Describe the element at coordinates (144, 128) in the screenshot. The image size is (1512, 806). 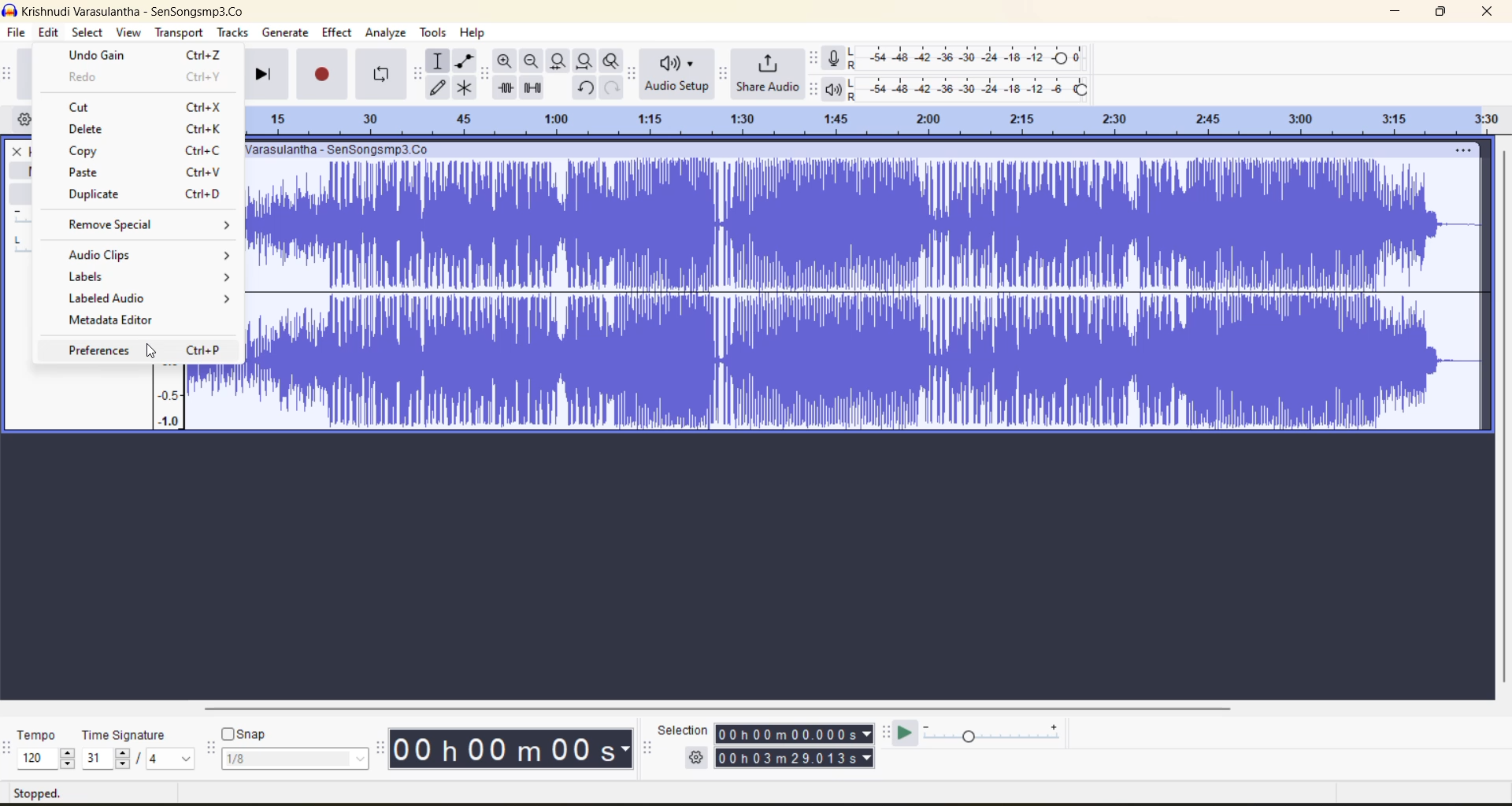
I see `delete` at that location.